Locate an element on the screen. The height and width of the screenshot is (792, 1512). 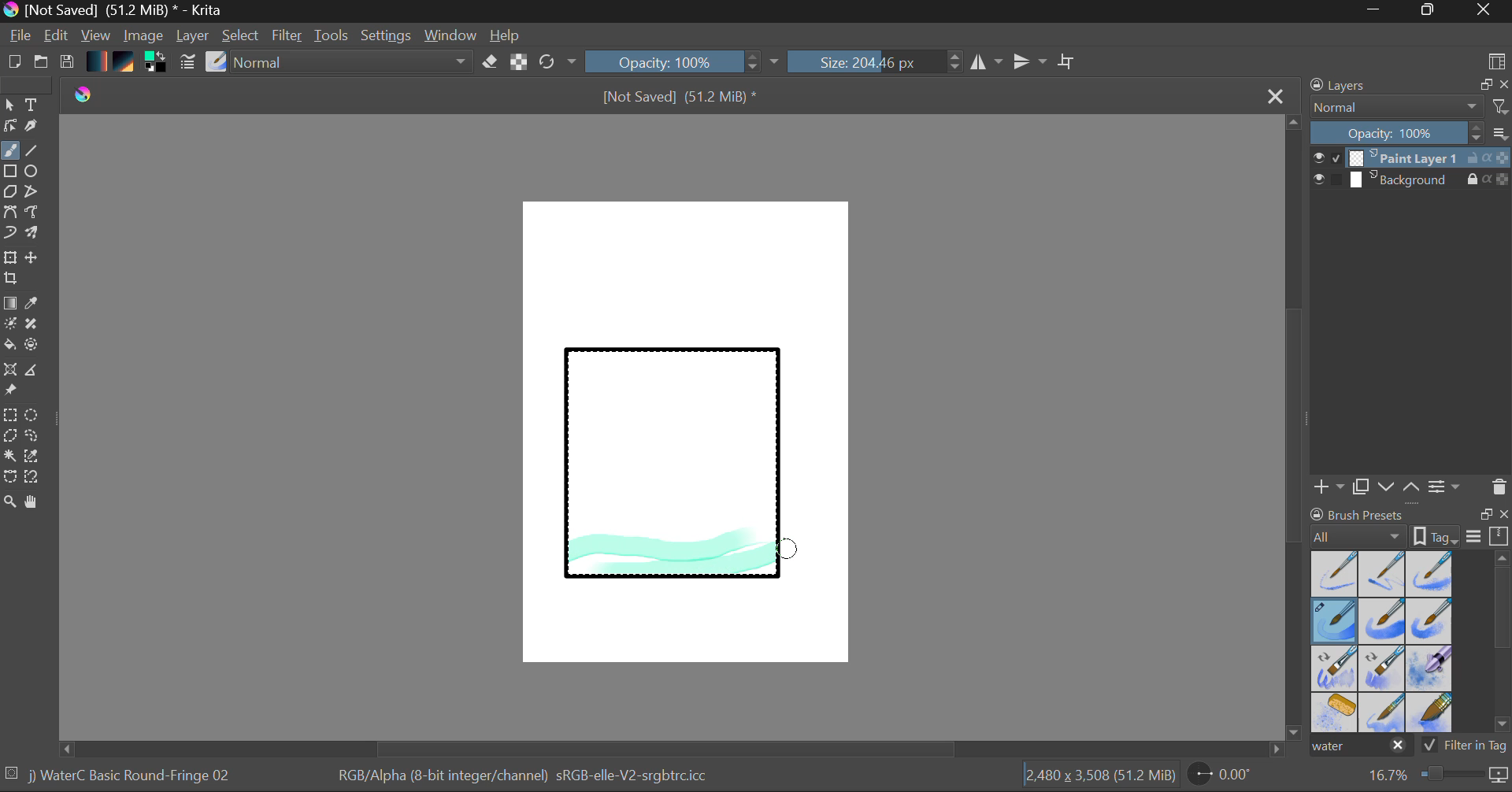
Crop is located at coordinates (13, 279).